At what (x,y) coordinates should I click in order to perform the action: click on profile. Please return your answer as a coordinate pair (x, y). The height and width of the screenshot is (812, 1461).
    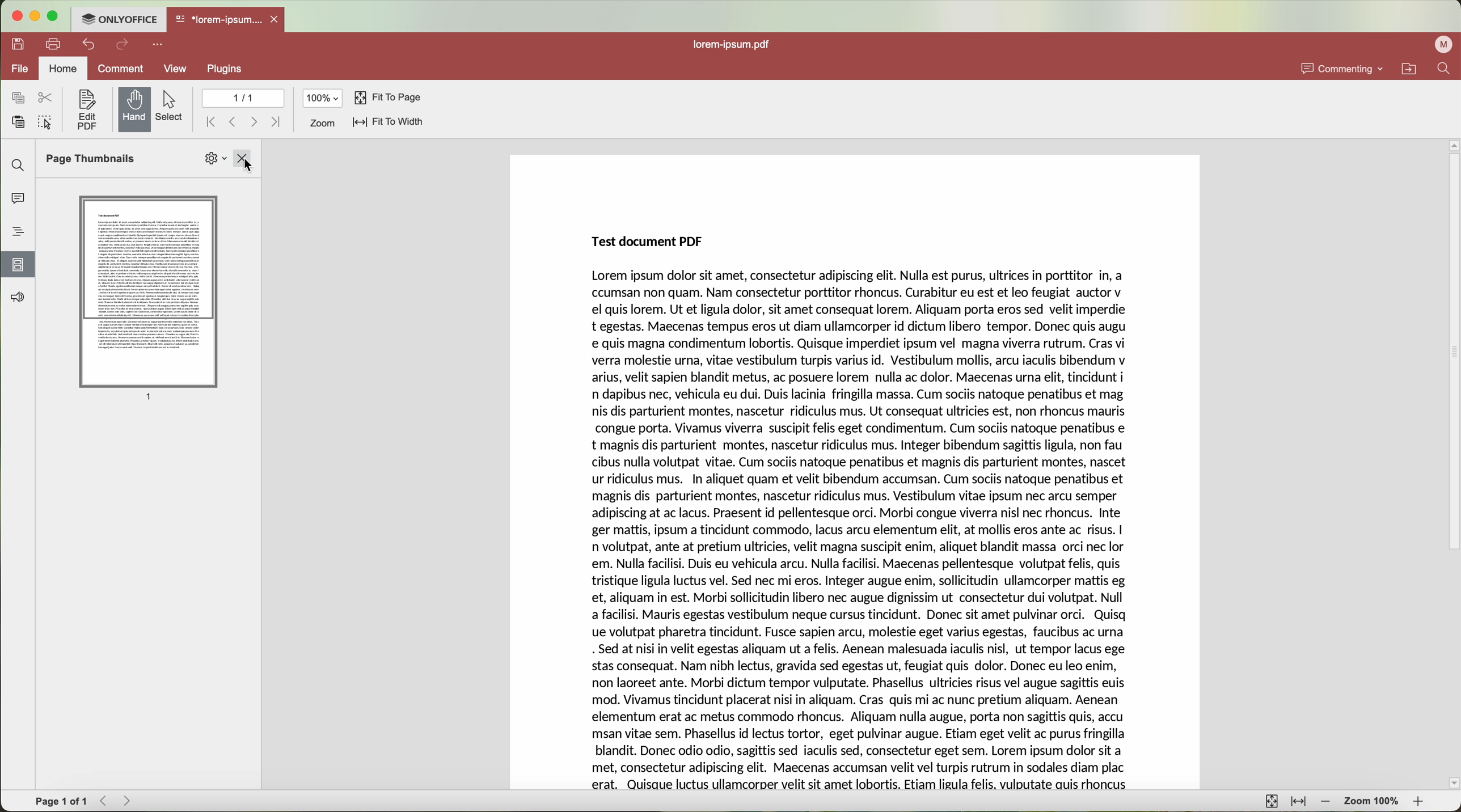
    Looking at the image, I should click on (1443, 45).